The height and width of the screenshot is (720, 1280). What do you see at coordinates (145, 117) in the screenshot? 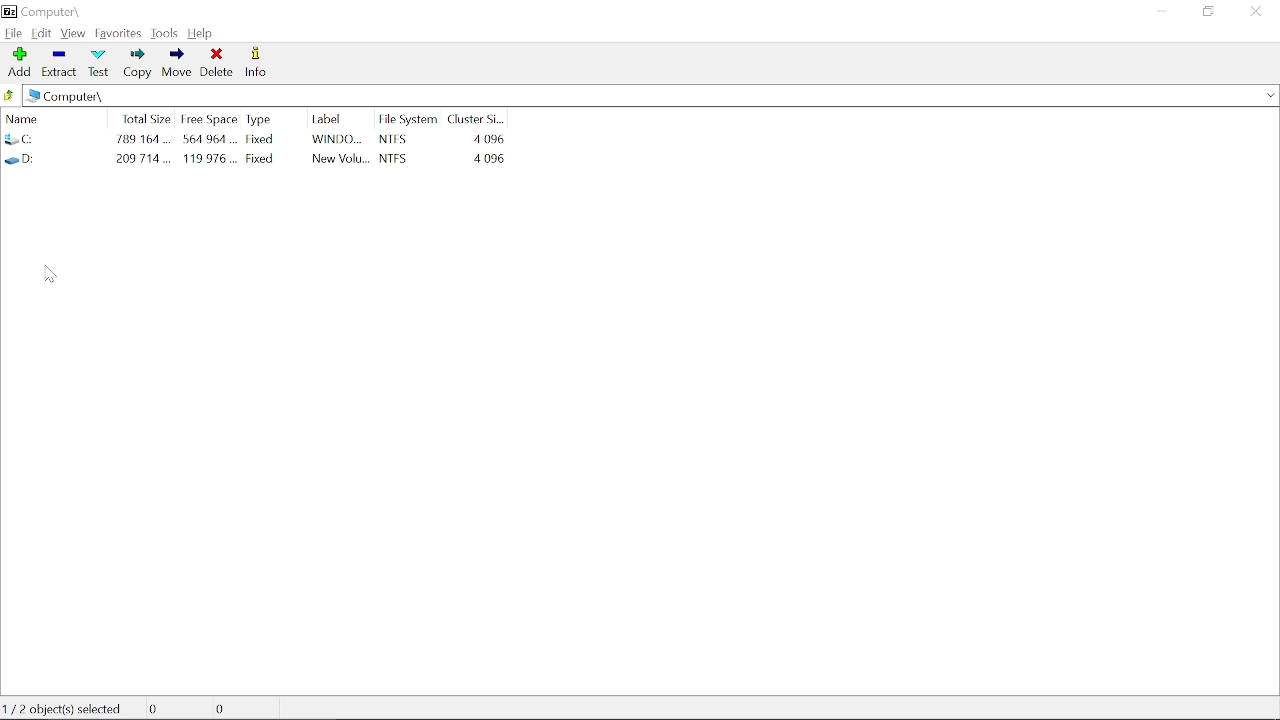
I see `total size` at bounding box center [145, 117].